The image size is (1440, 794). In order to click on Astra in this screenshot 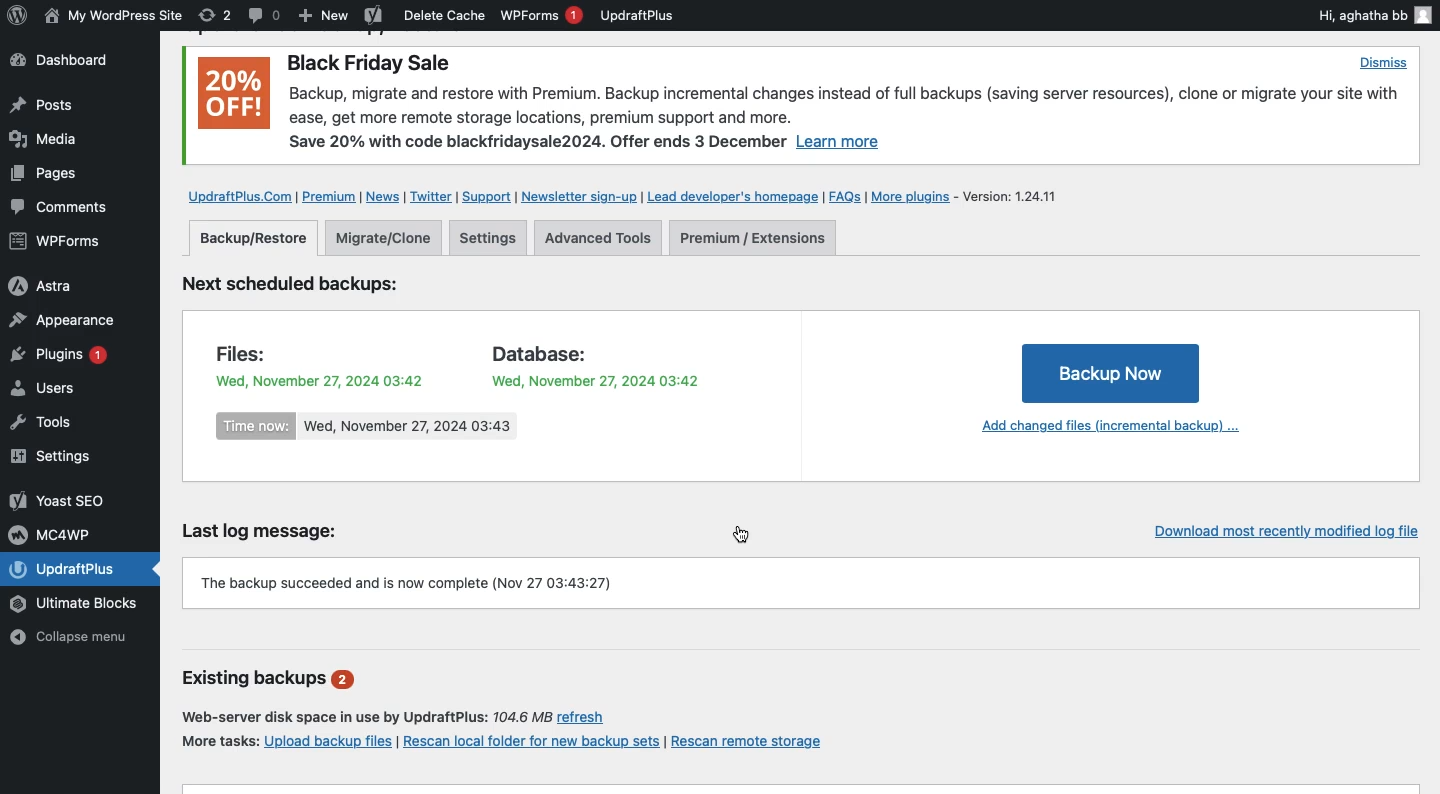, I will do `click(57, 284)`.